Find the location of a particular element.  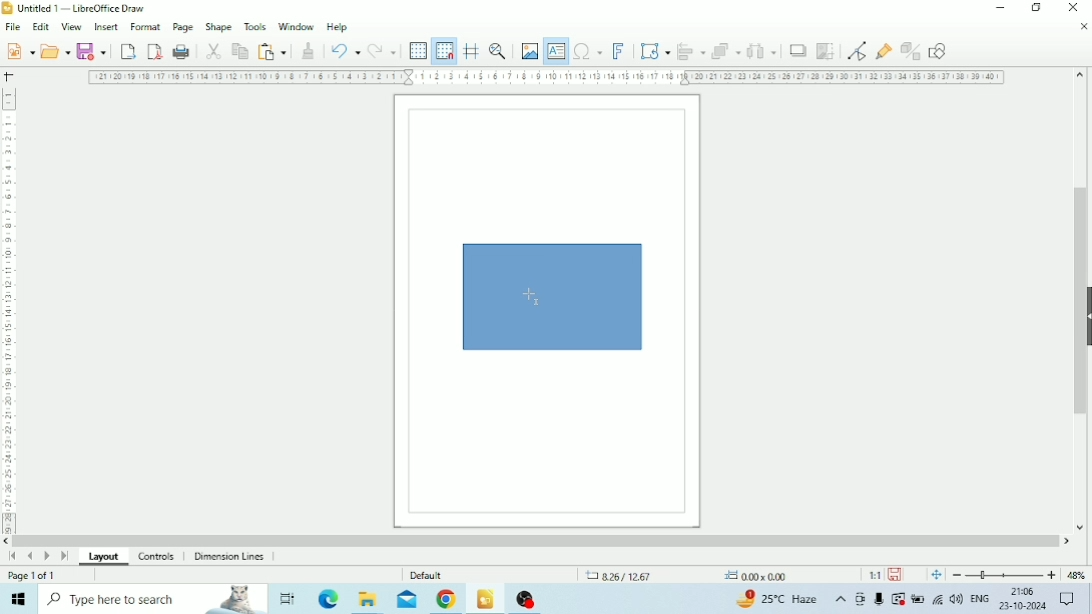

Insert Image is located at coordinates (529, 52).